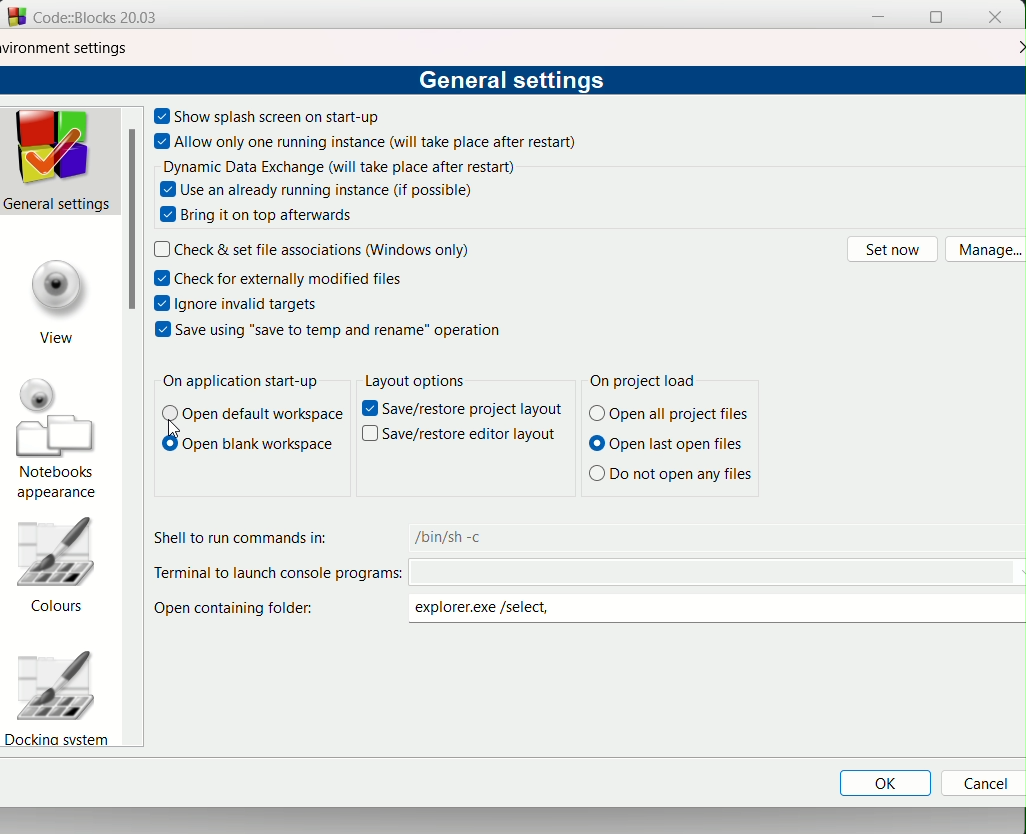  What do you see at coordinates (447, 536) in the screenshot?
I see `text` at bounding box center [447, 536].